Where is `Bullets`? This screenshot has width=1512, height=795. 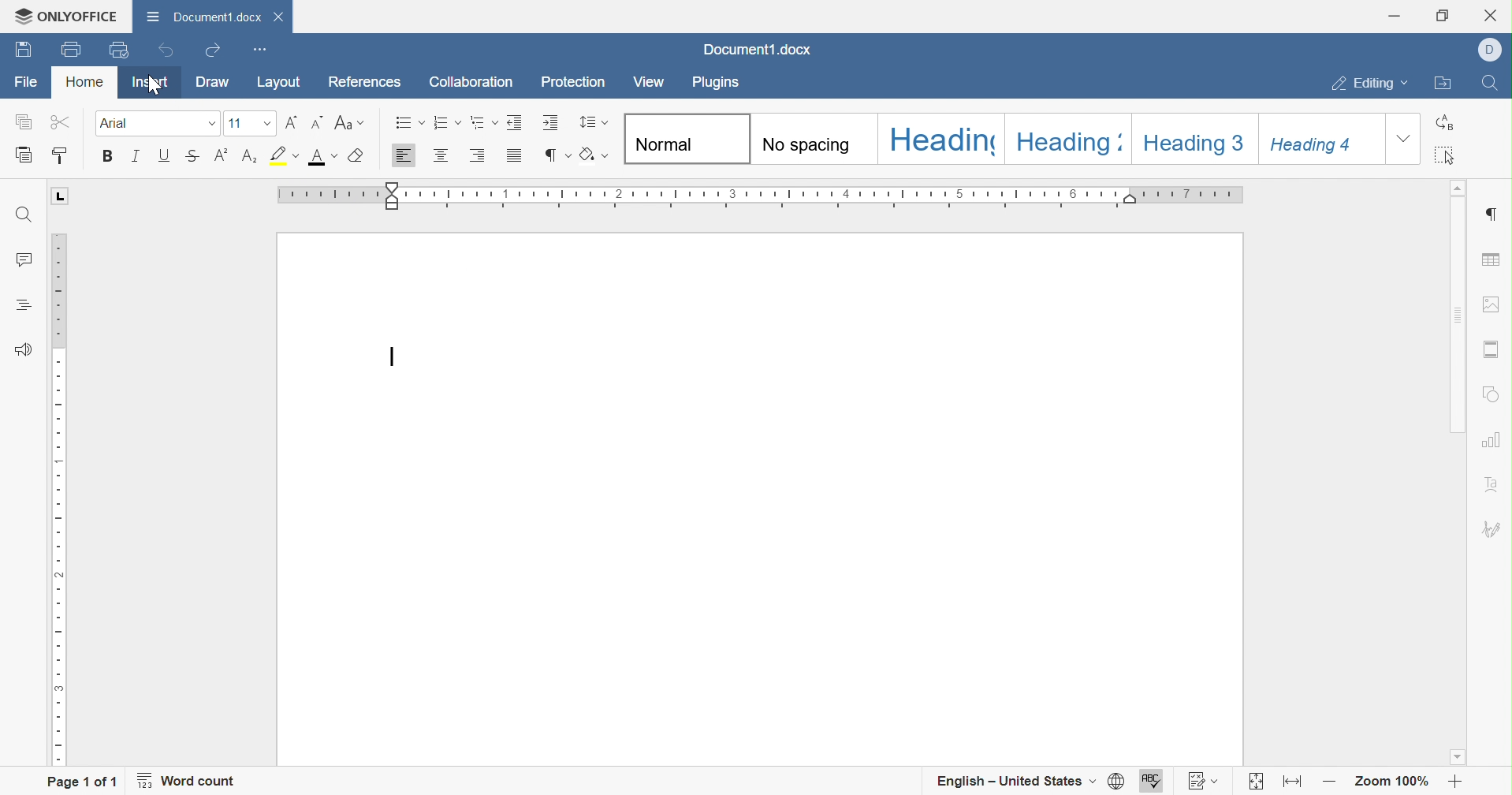 Bullets is located at coordinates (408, 122).